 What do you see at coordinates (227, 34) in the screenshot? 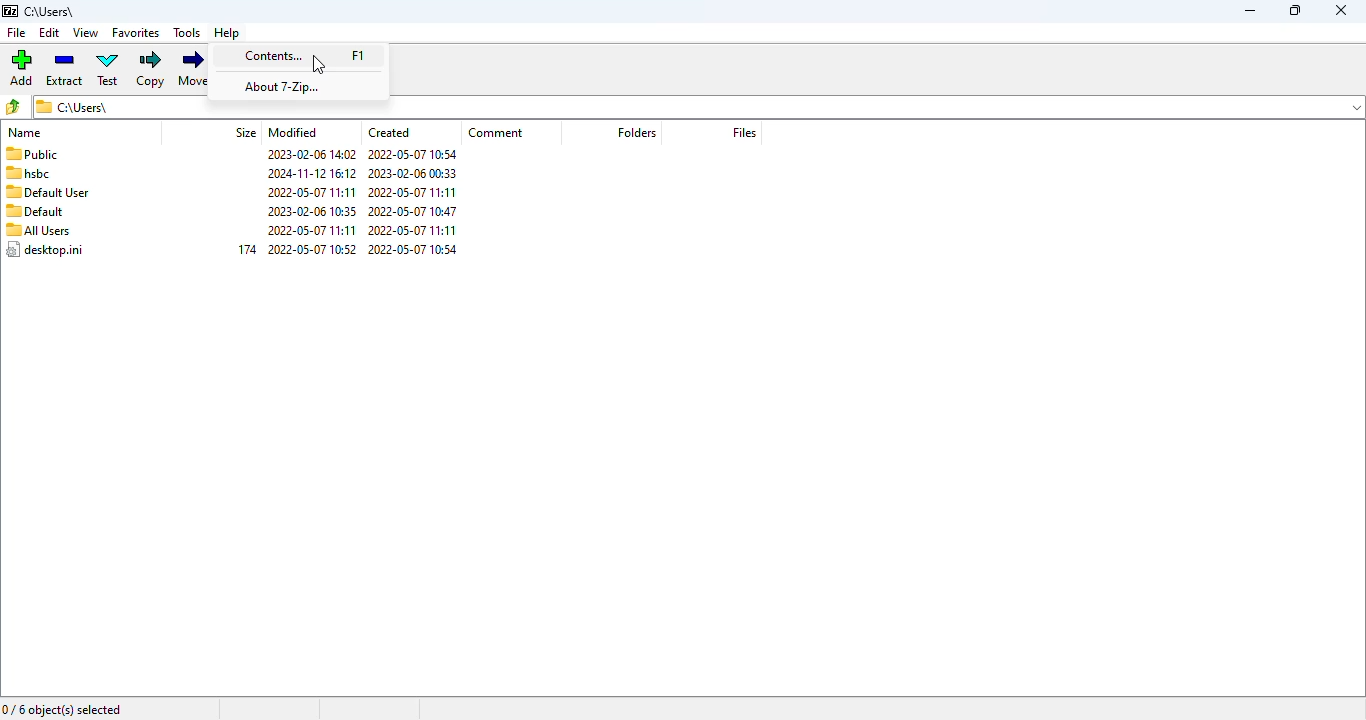
I see `help` at bounding box center [227, 34].